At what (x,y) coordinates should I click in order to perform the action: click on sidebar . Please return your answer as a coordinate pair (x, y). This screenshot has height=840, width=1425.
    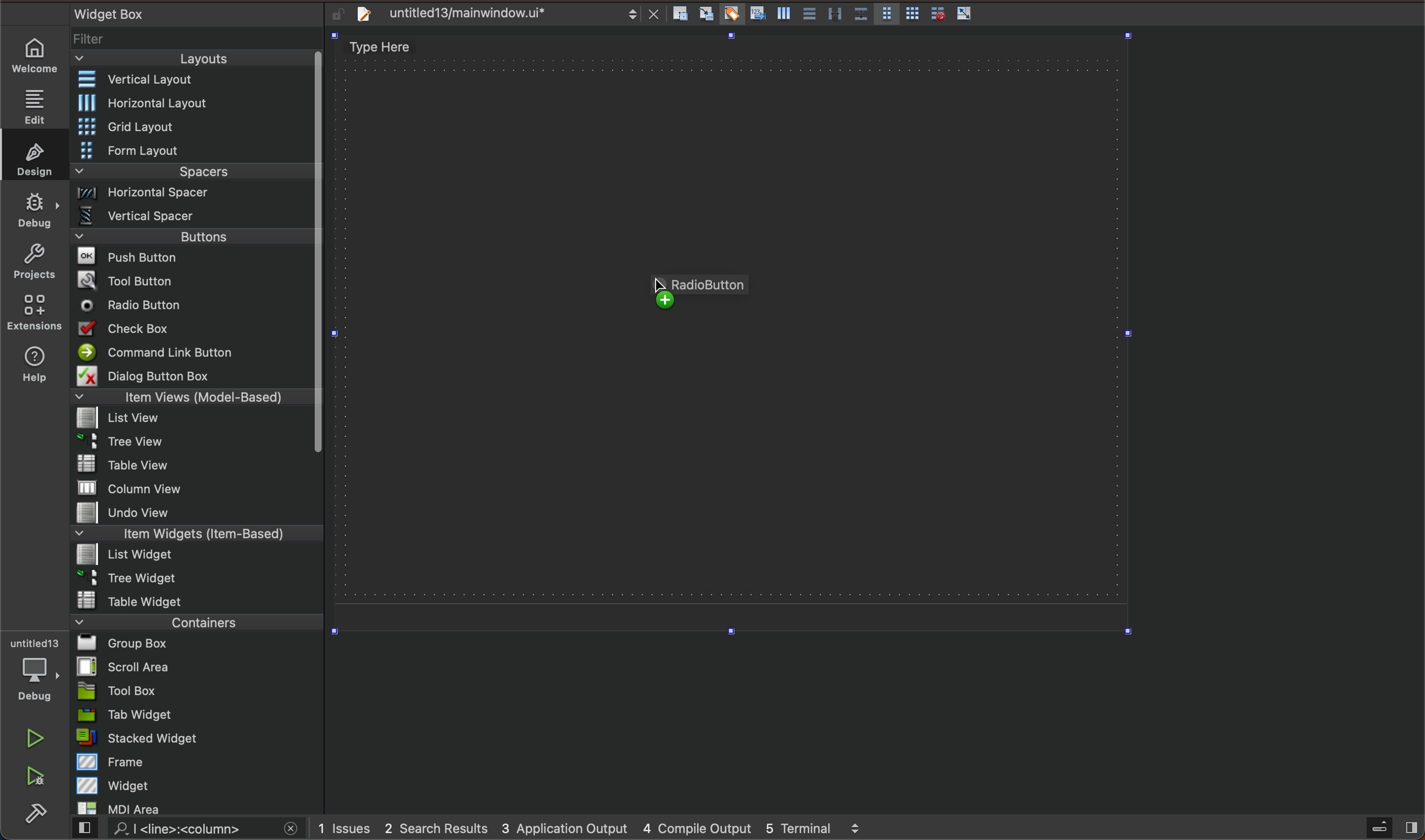
    Looking at the image, I should click on (1381, 828).